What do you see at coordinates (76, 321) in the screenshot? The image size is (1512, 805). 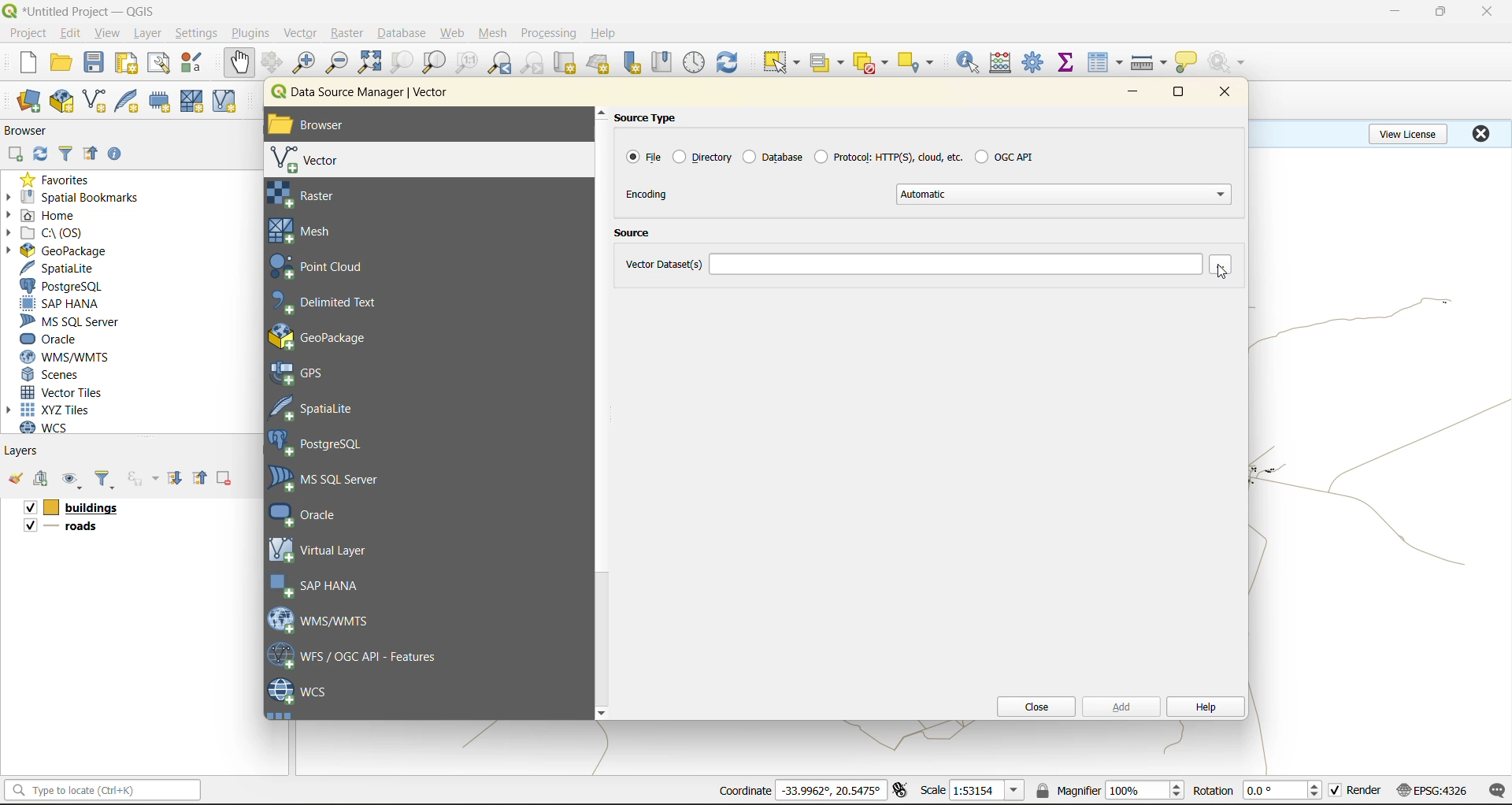 I see `ms sql server` at bounding box center [76, 321].